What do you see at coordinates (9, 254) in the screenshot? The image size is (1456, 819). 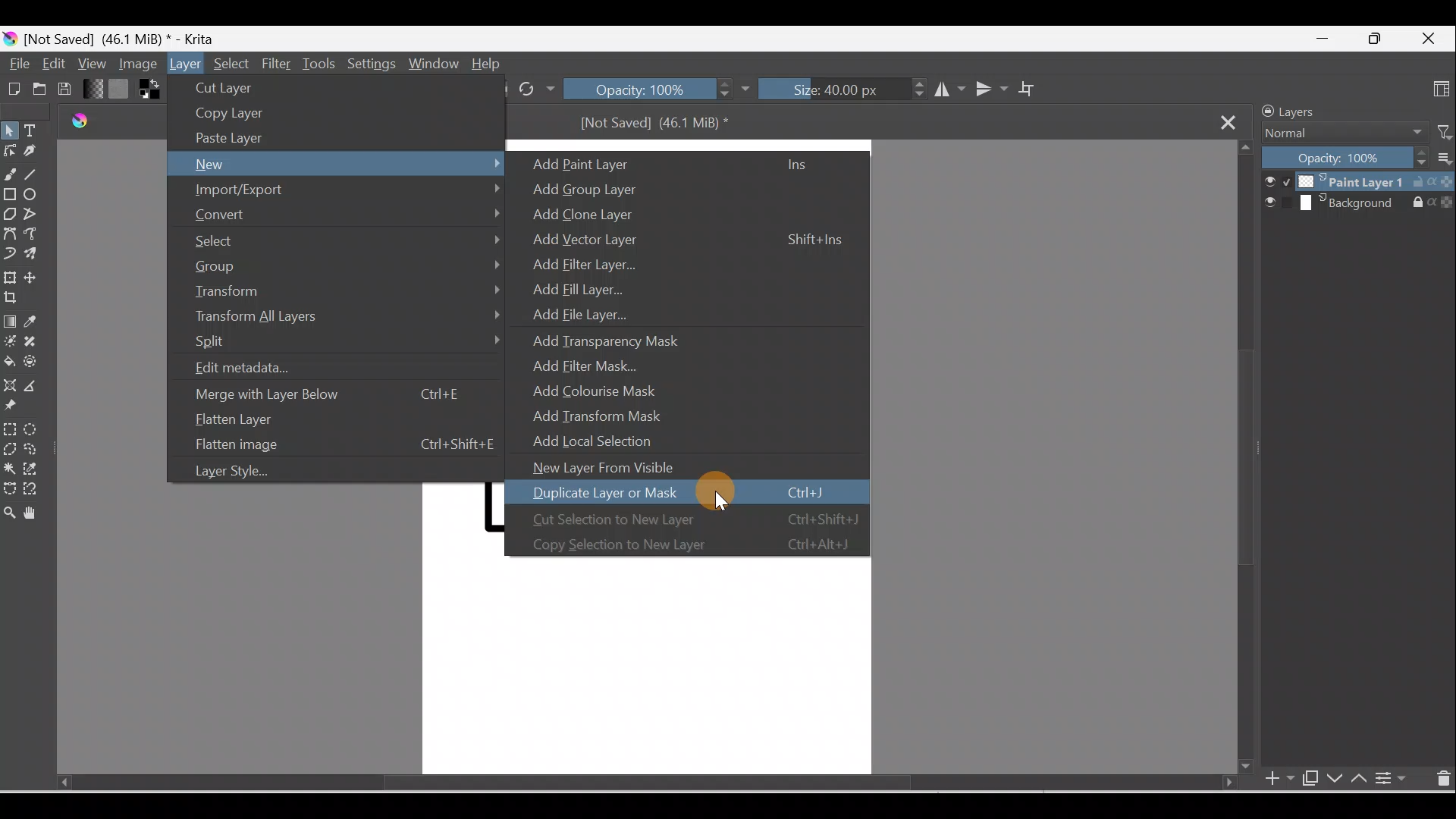 I see `Dynamic brush tool` at bounding box center [9, 254].